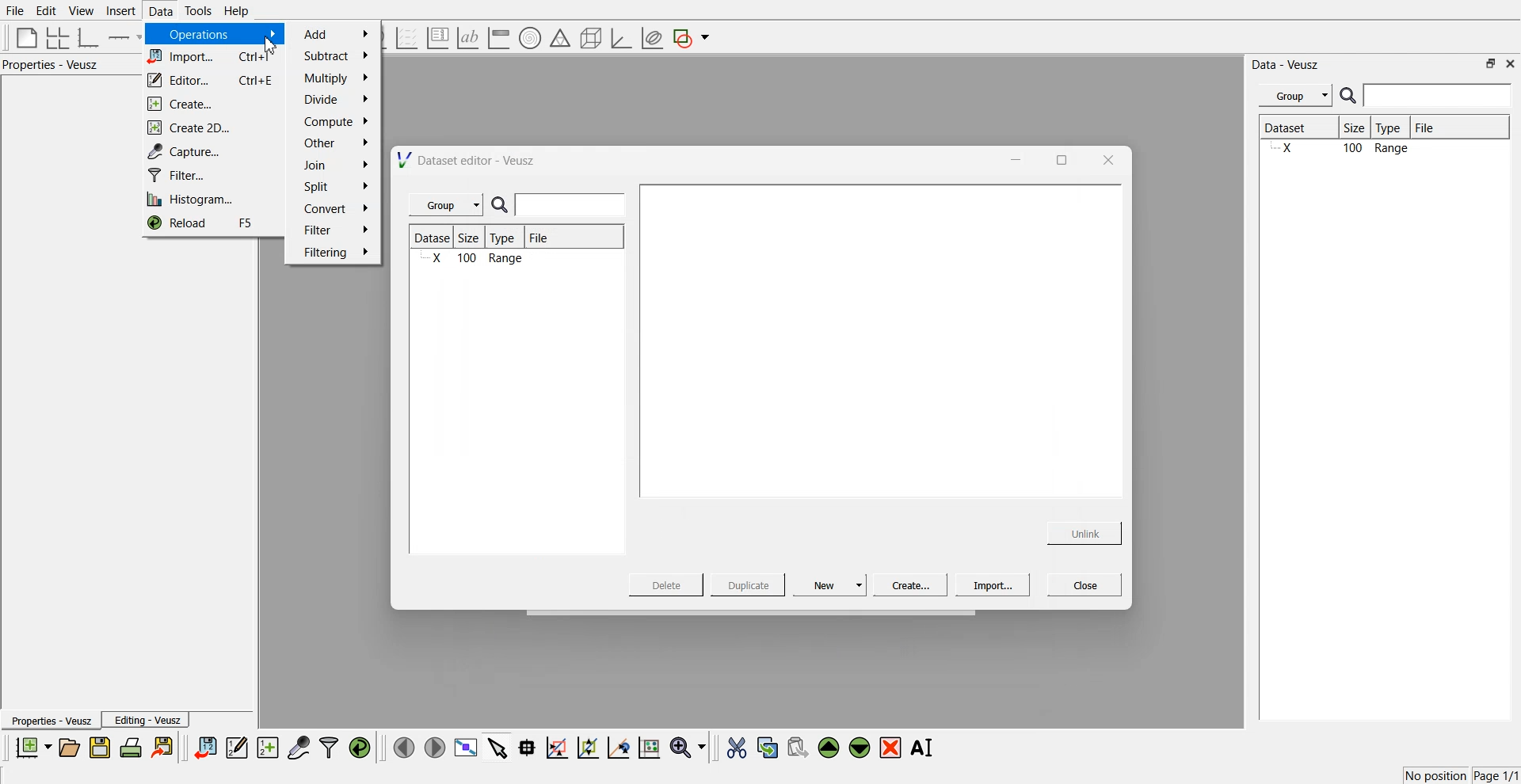 This screenshot has width=1521, height=784. Describe the element at coordinates (336, 121) in the screenshot. I see `Compute` at that location.